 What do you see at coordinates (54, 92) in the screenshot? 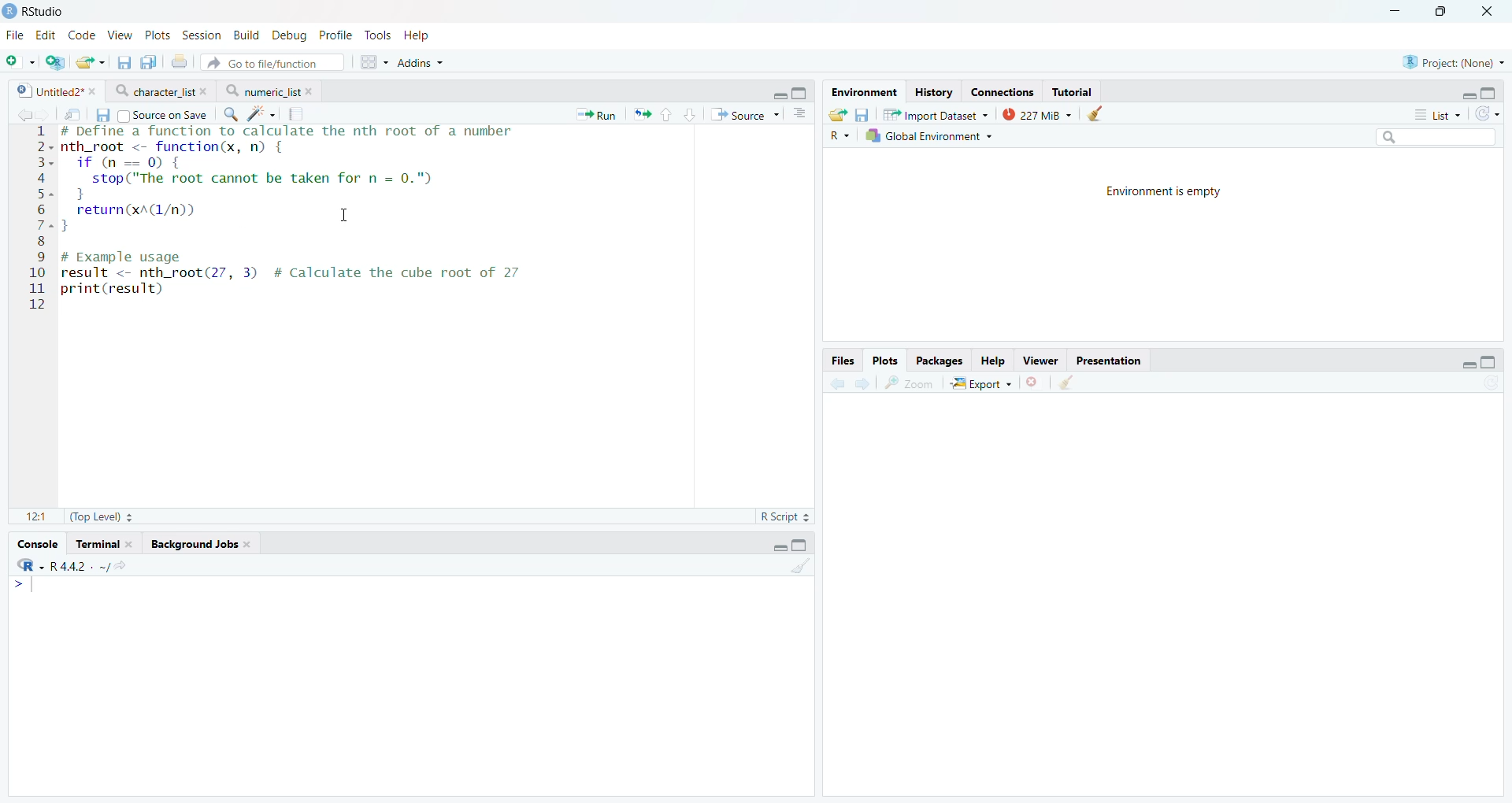
I see `Untitled2*` at bounding box center [54, 92].